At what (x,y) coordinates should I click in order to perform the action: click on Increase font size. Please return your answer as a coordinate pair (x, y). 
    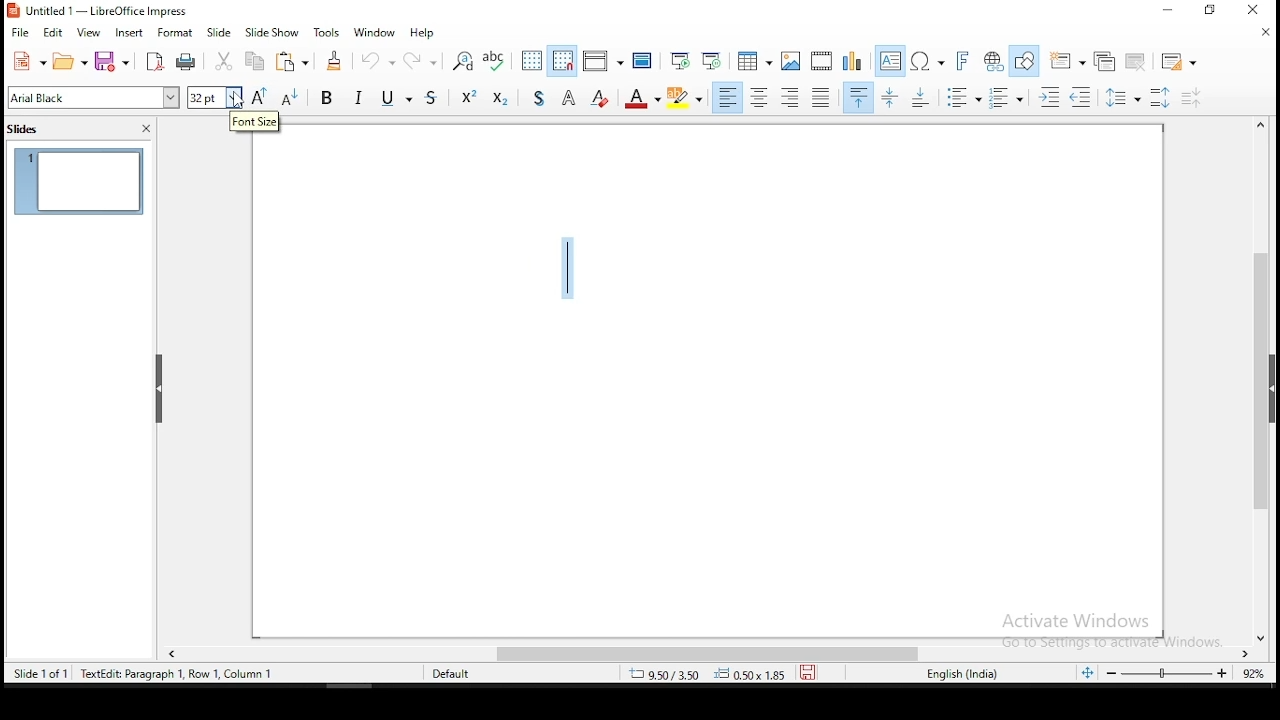
    Looking at the image, I should click on (258, 97).